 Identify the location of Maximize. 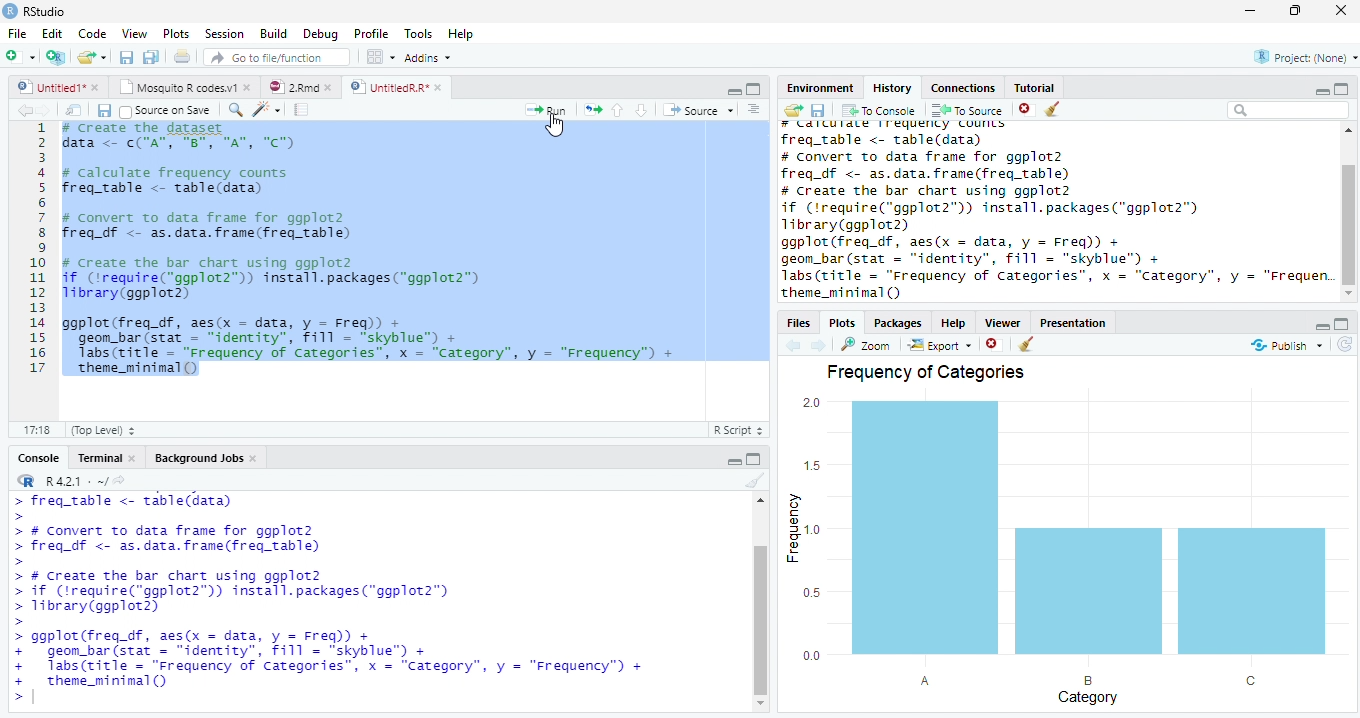
(1343, 324).